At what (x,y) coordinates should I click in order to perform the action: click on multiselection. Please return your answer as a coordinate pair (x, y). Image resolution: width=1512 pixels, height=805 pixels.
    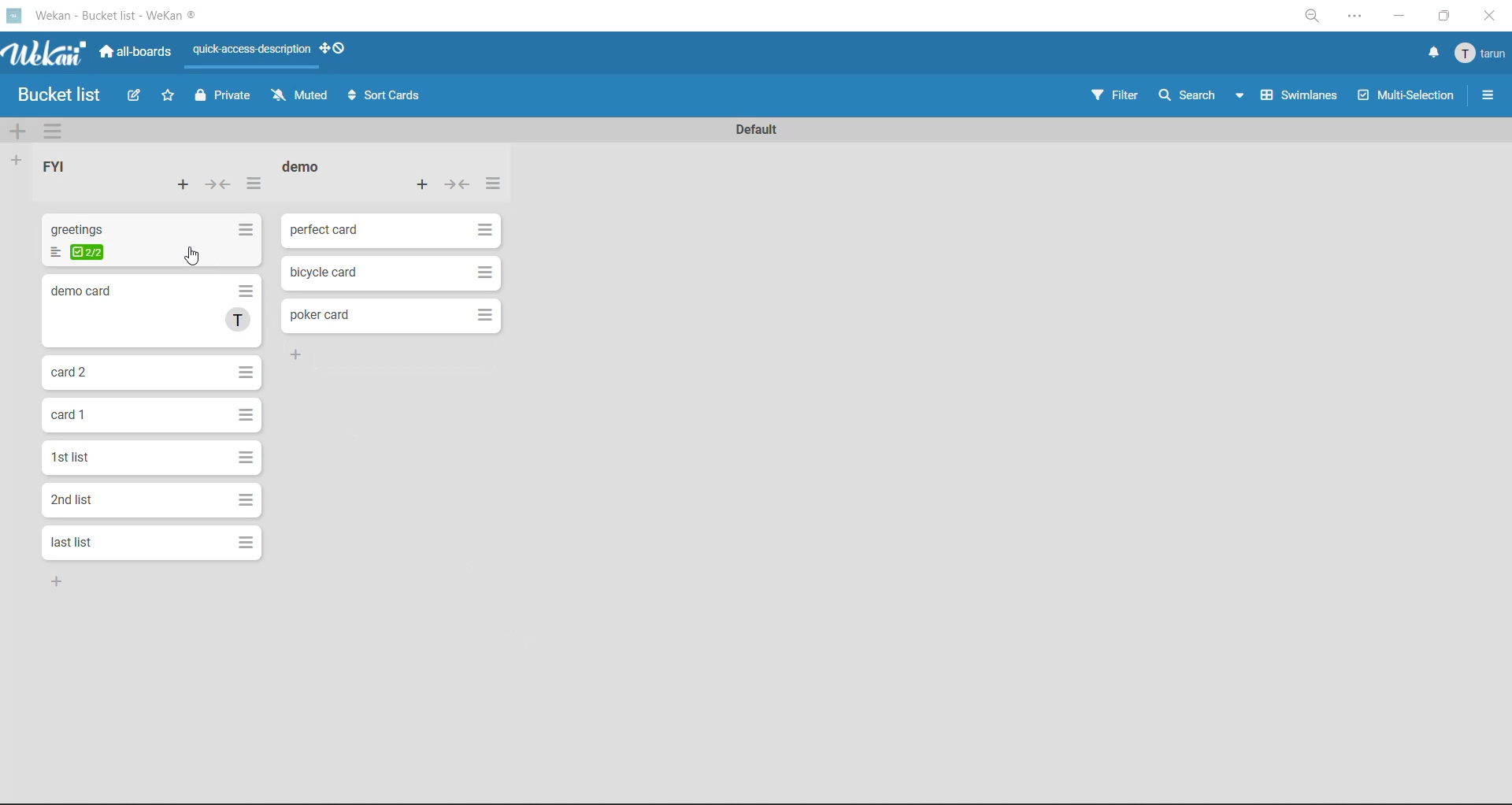
    Looking at the image, I should click on (1406, 97).